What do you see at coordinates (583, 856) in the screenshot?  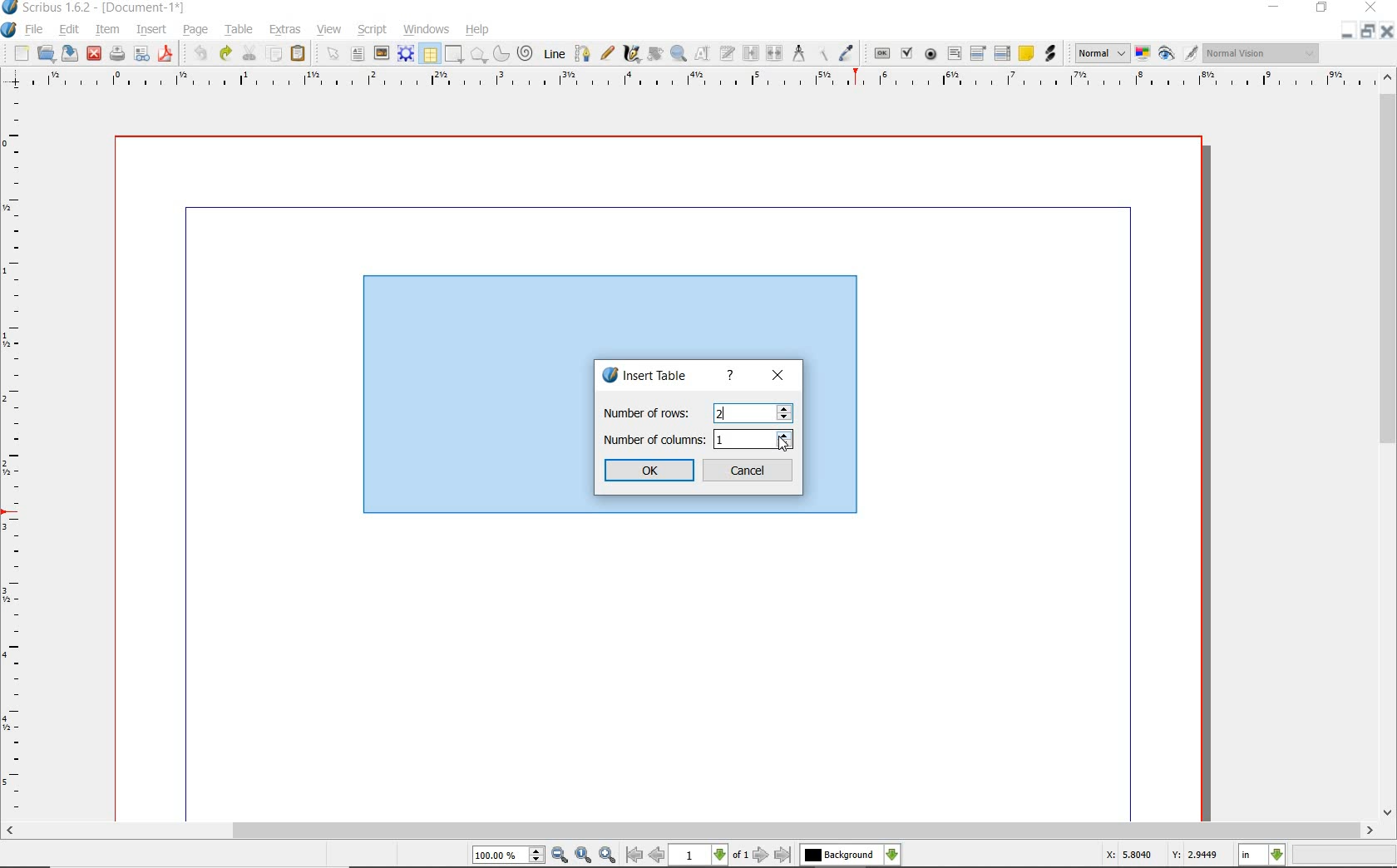 I see `zoom to` at bounding box center [583, 856].